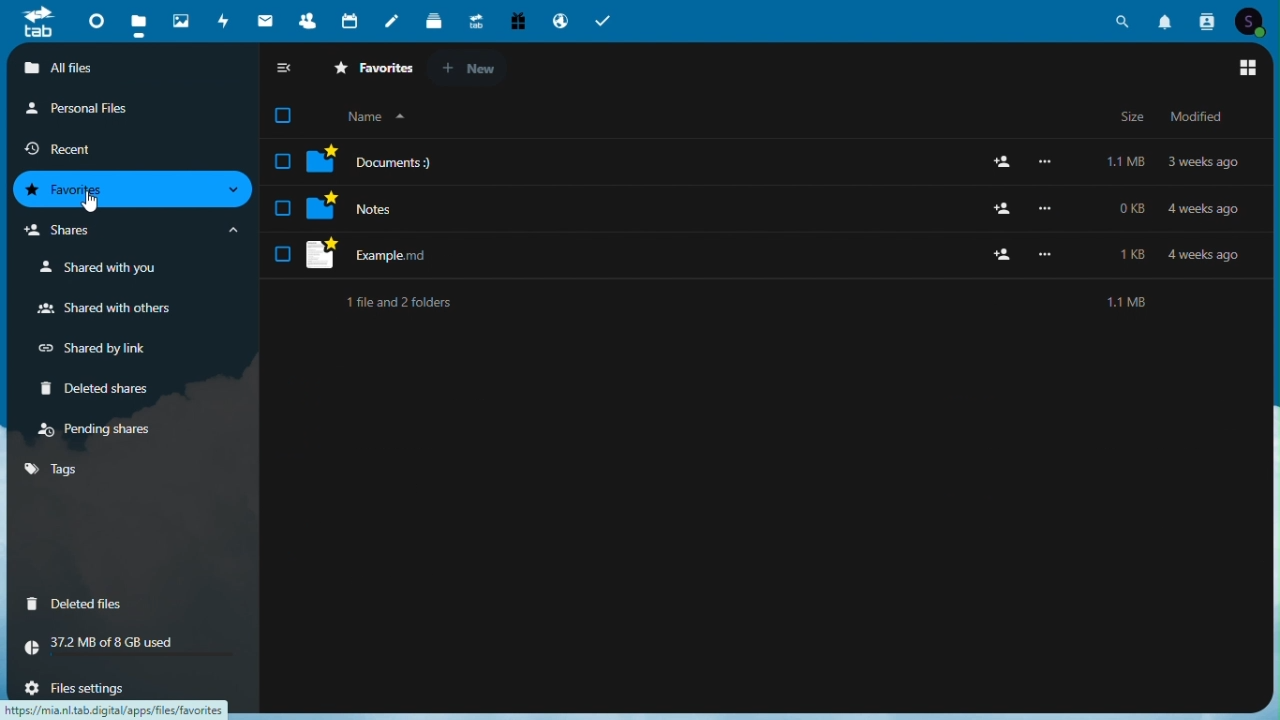  What do you see at coordinates (286, 68) in the screenshot?
I see `Collapse sidebar` at bounding box center [286, 68].